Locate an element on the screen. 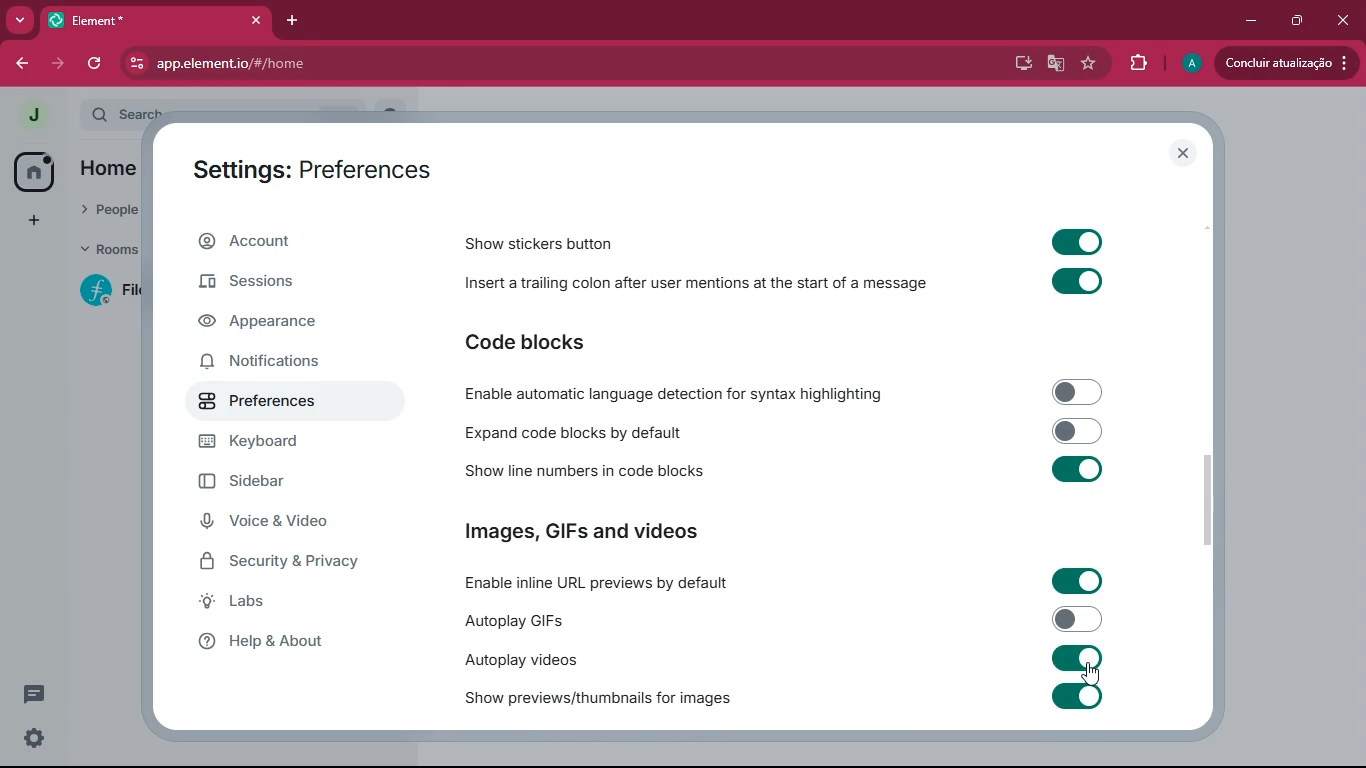 The image size is (1366, 768). code blocks is located at coordinates (575, 432).